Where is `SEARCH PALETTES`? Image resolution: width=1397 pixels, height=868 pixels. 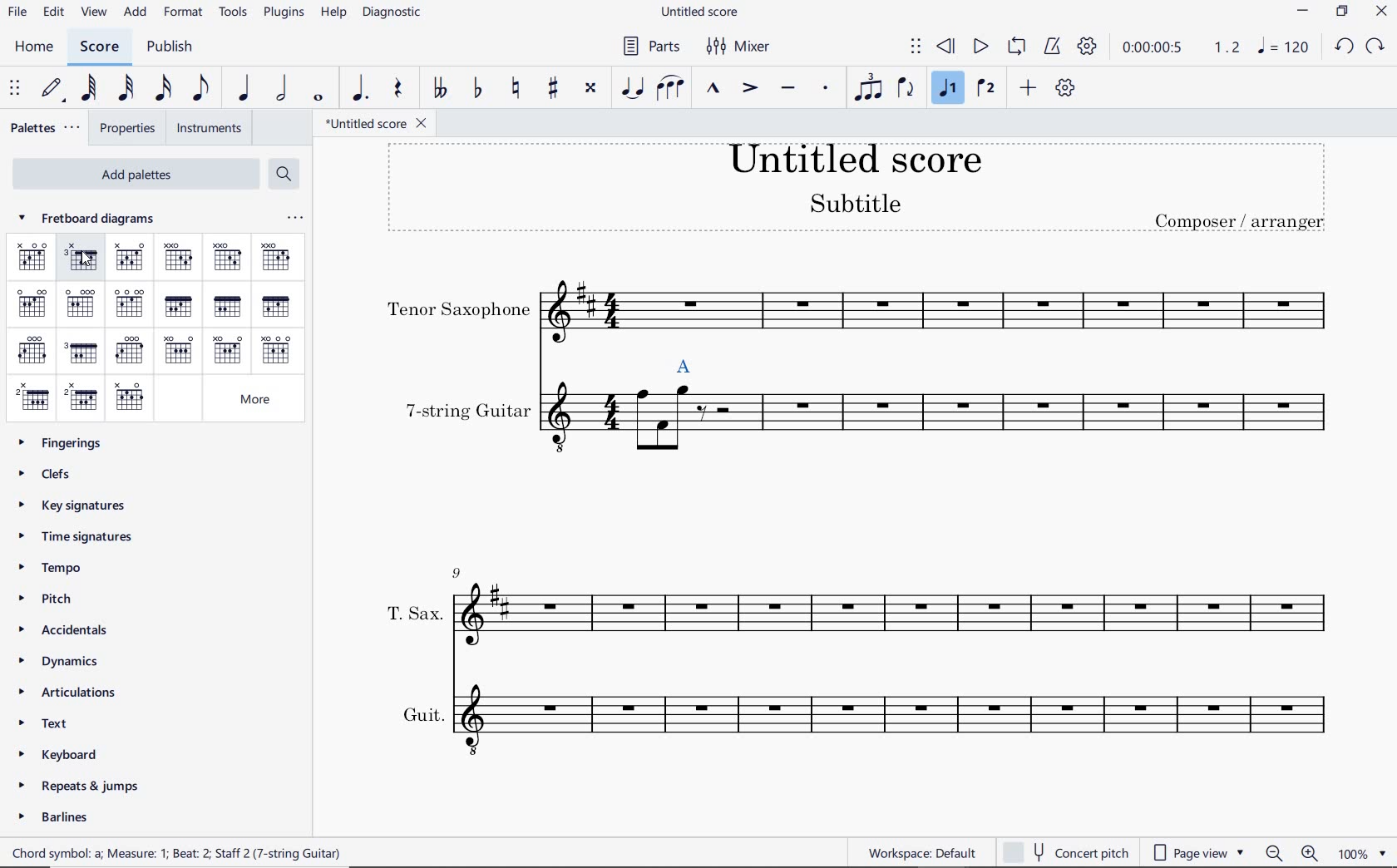
SEARCH PALETTES is located at coordinates (284, 175).